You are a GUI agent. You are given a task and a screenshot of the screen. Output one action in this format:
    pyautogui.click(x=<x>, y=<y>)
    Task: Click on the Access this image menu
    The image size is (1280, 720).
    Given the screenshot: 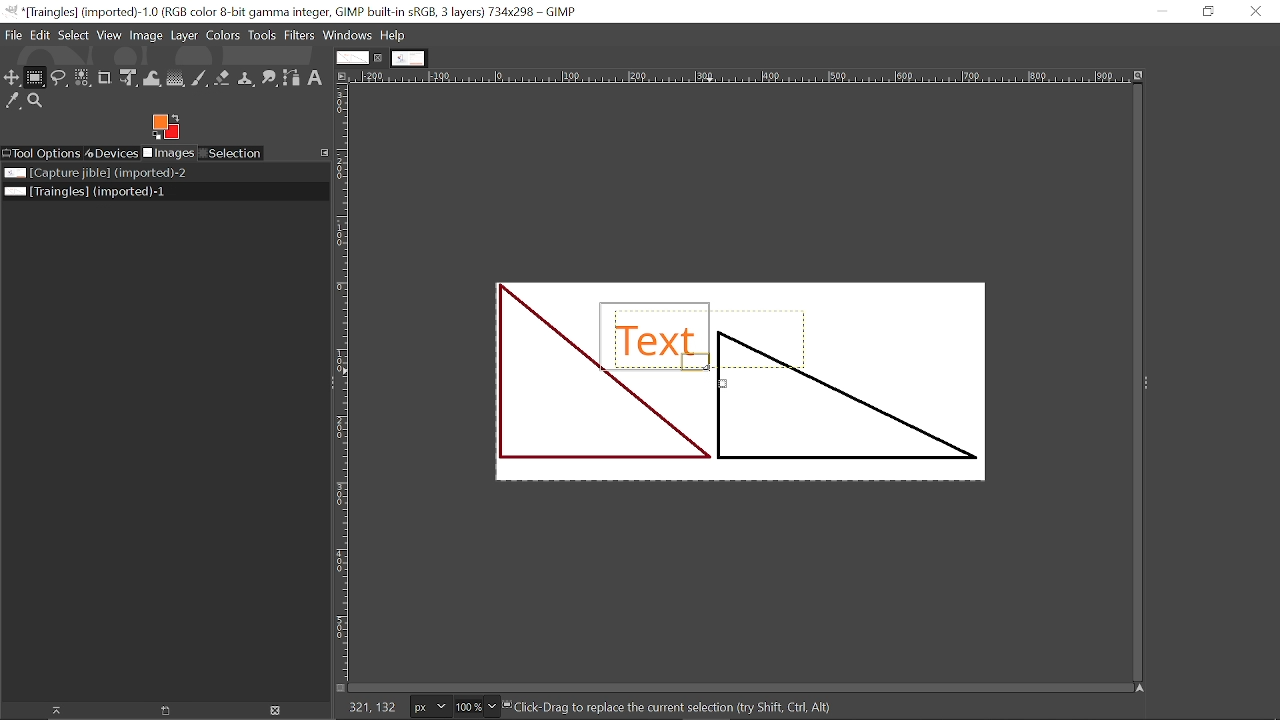 What is the action you would take?
    pyautogui.click(x=344, y=77)
    